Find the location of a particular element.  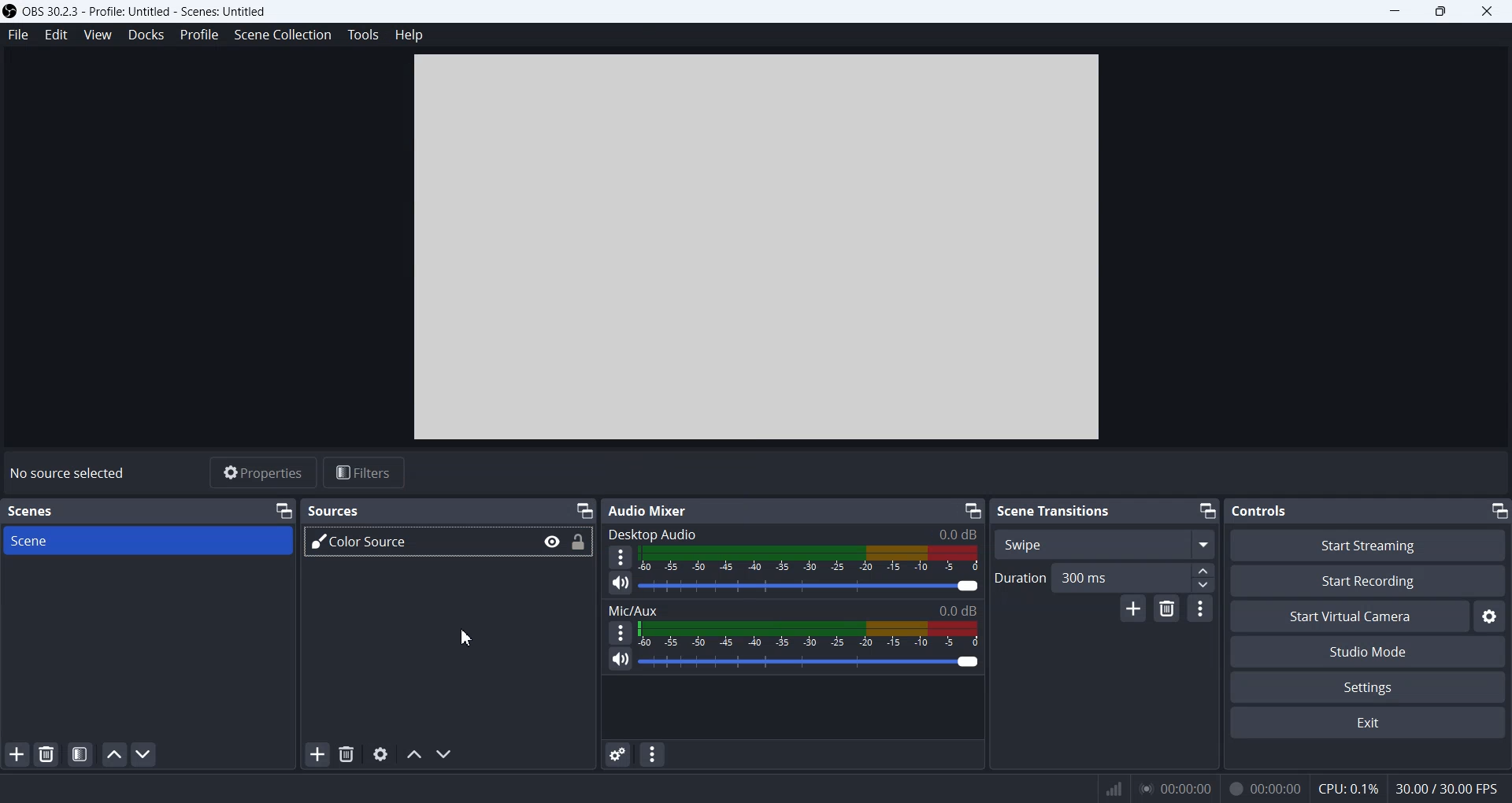

300 ms is located at coordinates (1134, 577).